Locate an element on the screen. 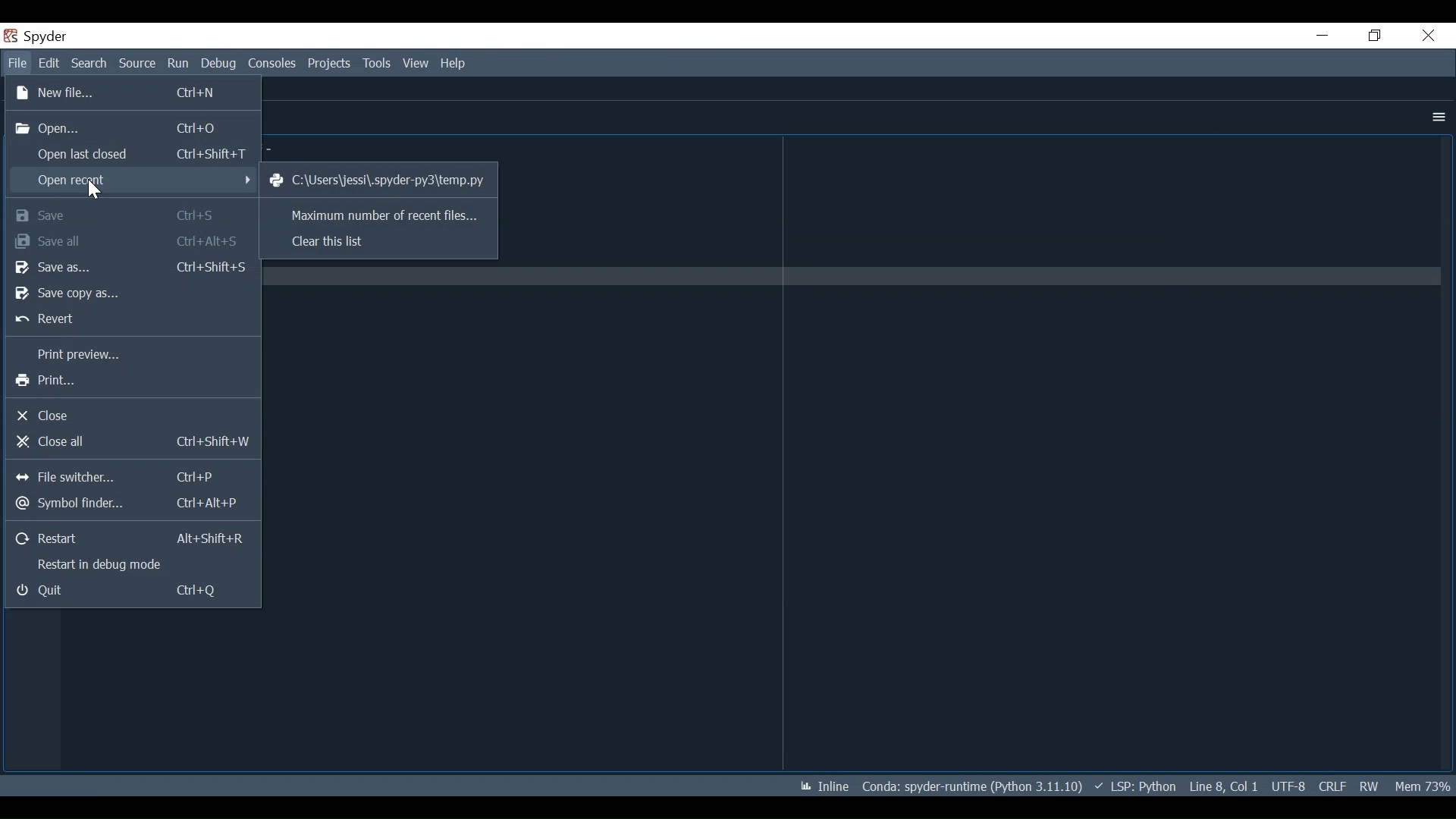  Run is located at coordinates (179, 64).